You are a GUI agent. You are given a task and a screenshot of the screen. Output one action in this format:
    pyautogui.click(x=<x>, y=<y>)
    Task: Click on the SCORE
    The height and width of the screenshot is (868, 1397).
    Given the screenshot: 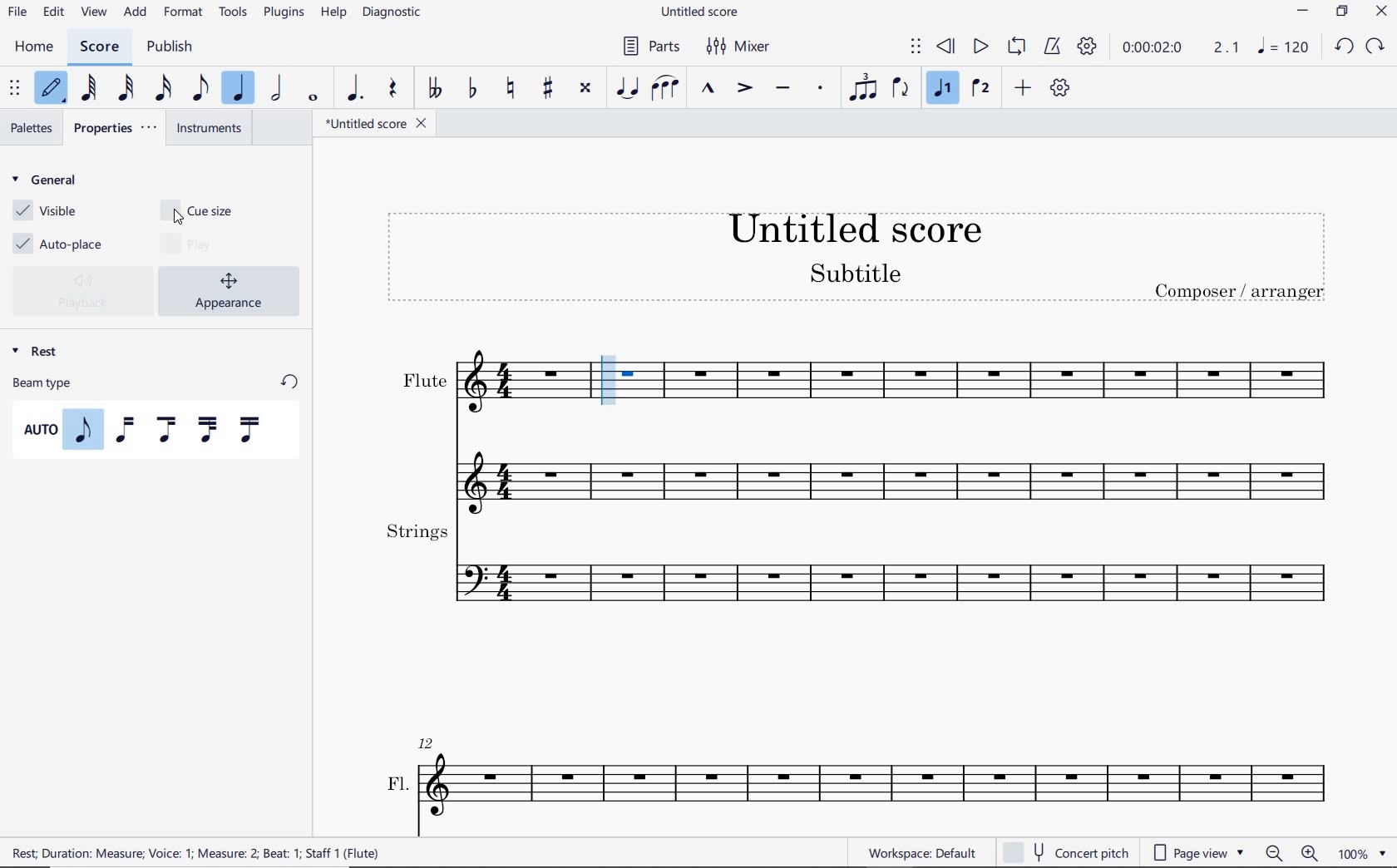 What is the action you would take?
    pyautogui.click(x=101, y=46)
    